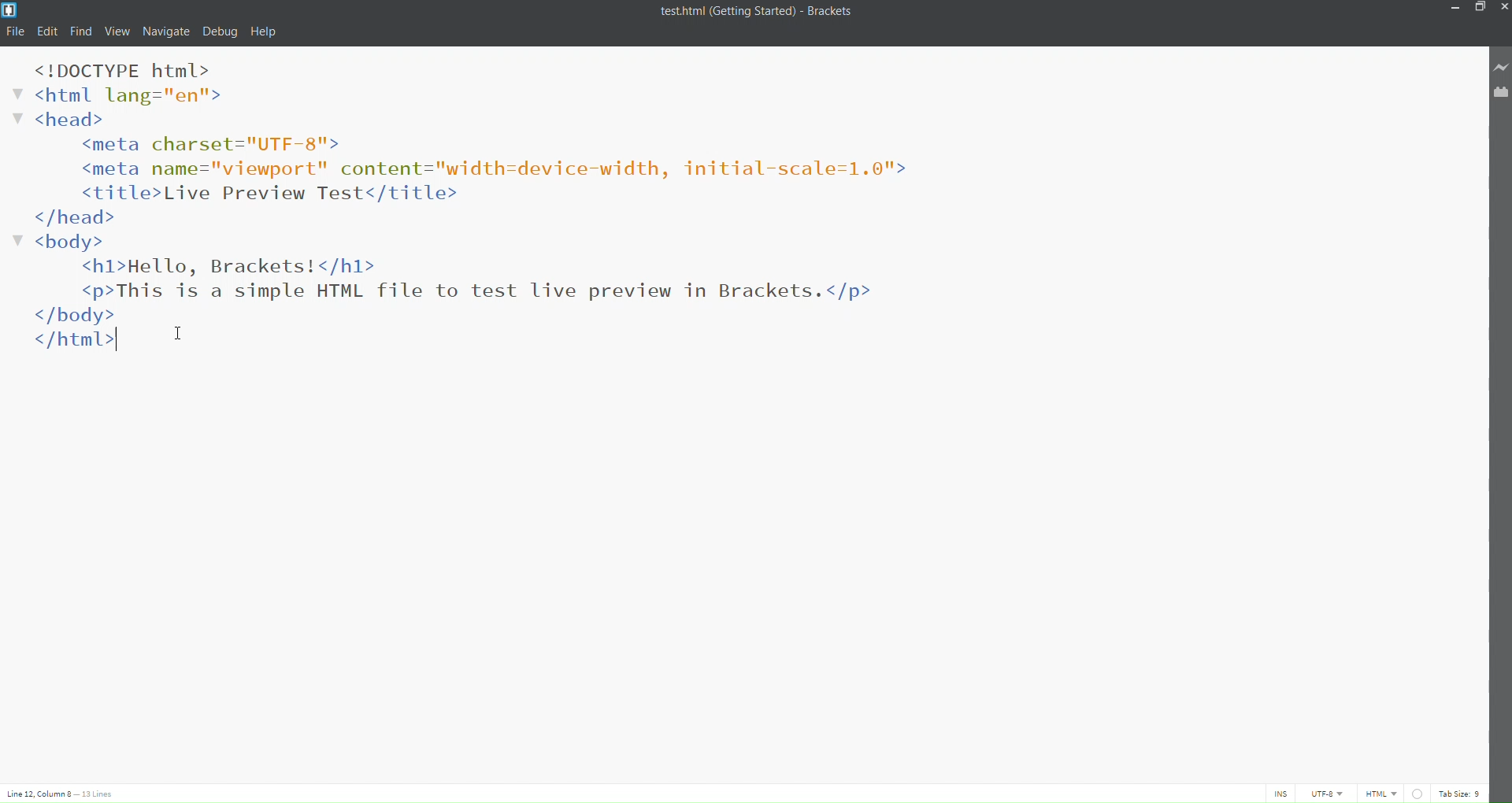 This screenshot has width=1512, height=803. I want to click on Title, so click(764, 13).